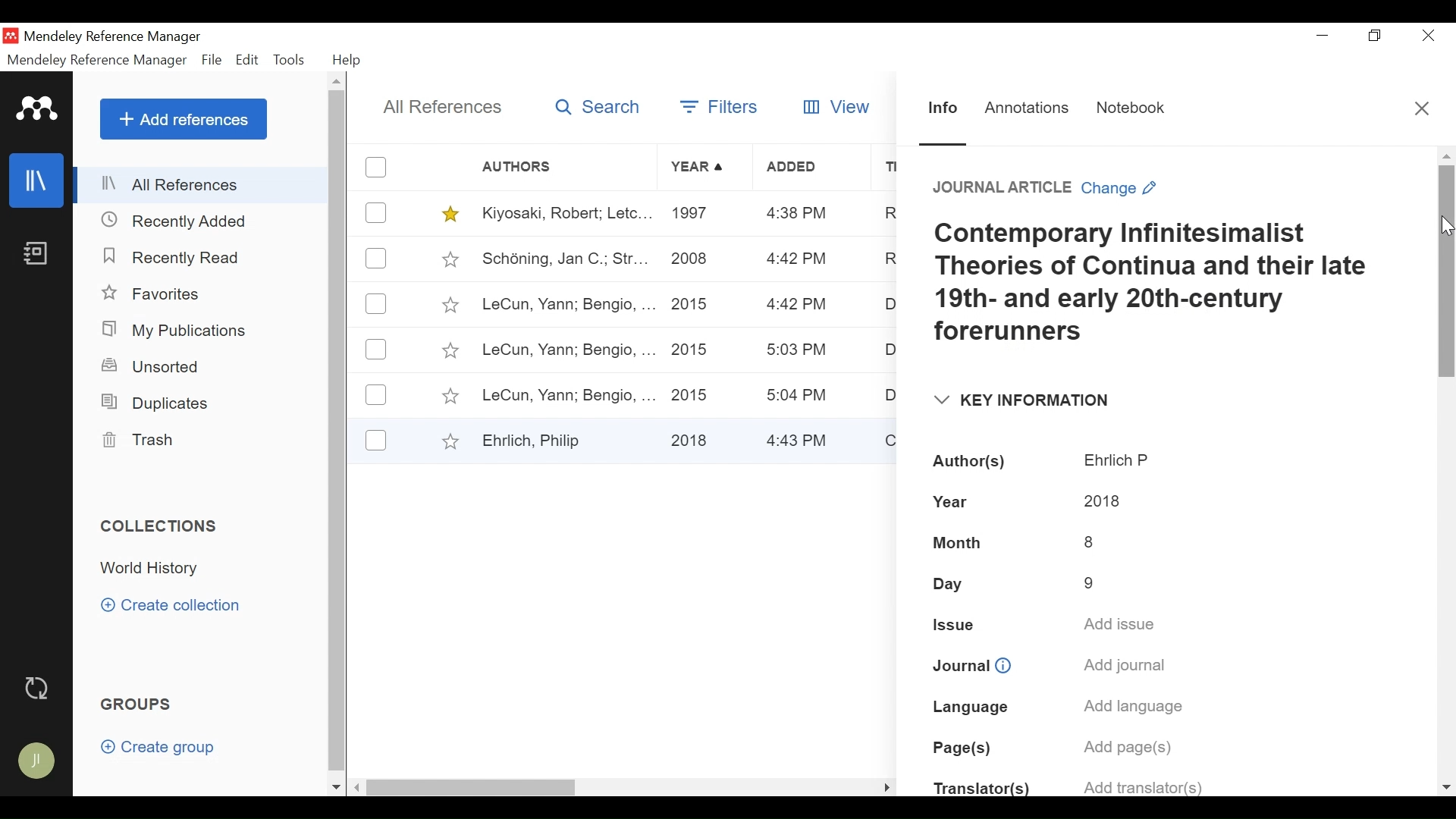  What do you see at coordinates (151, 368) in the screenshot?
I see `Unsorted` at bounding box center [151, 368].